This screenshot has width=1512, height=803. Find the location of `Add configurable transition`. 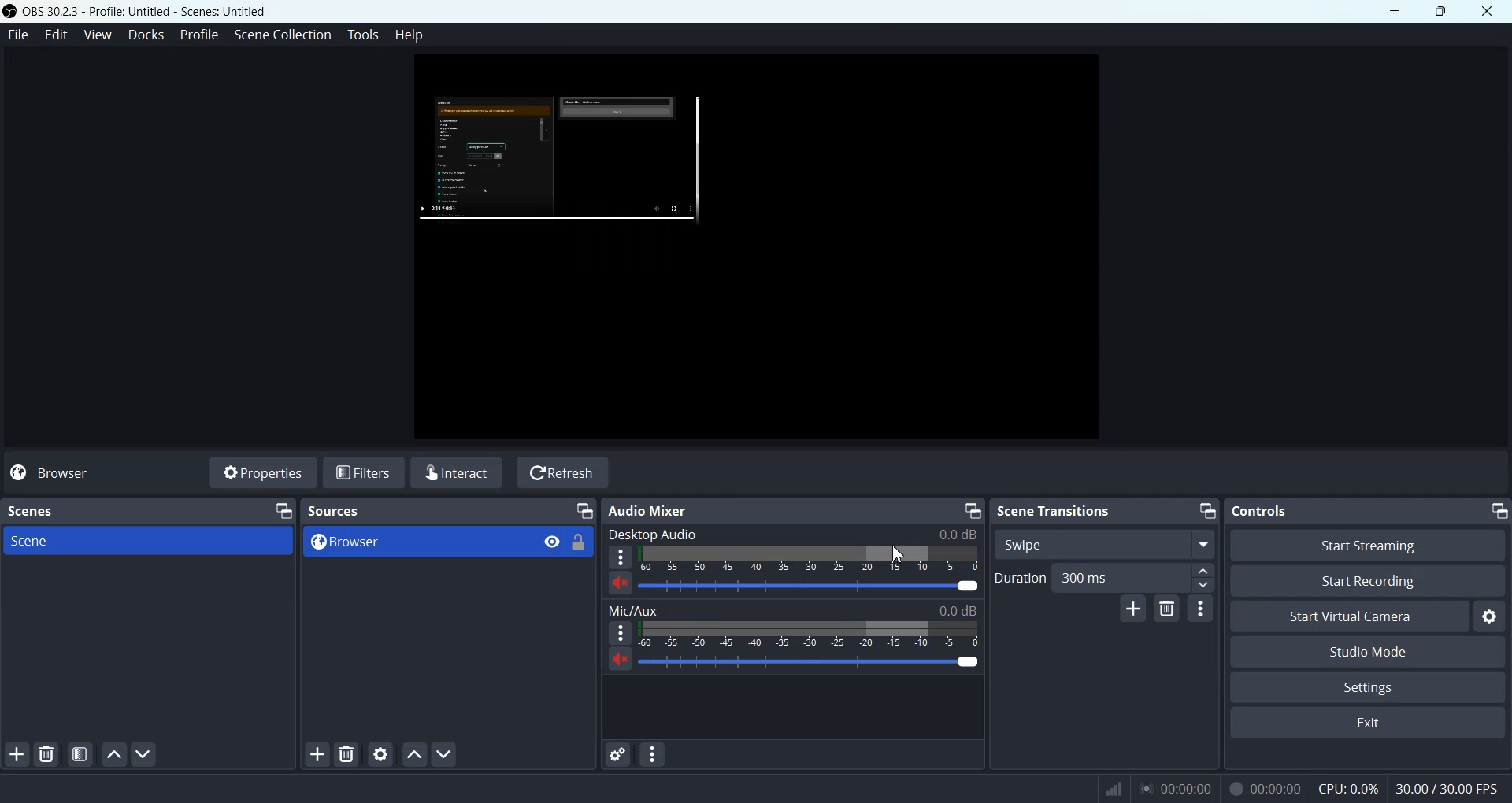

Add configurable transition is located at coordinates (1134, 609).